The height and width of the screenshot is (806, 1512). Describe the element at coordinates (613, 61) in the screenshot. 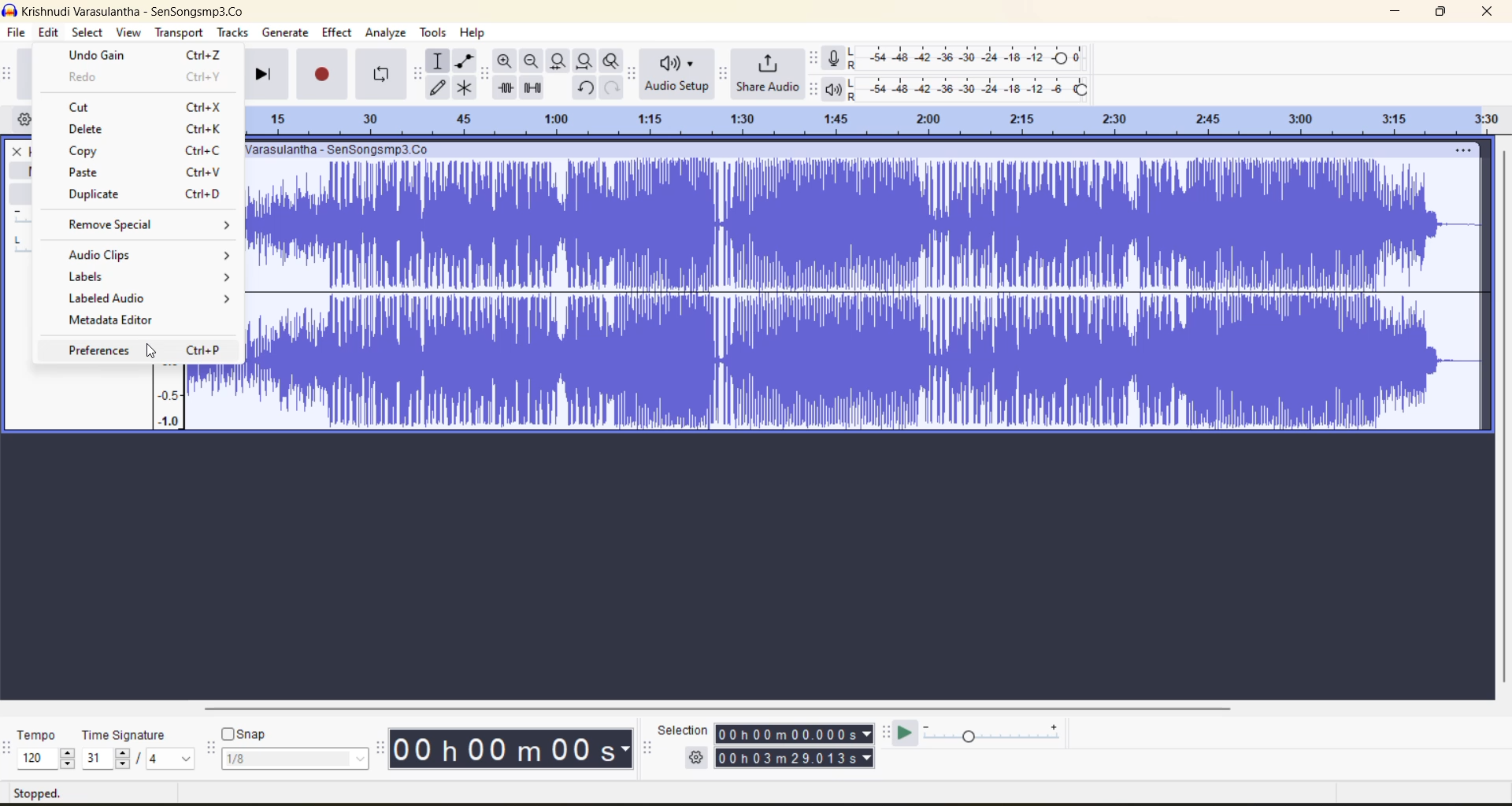

I see `zoom toggle` at that location.